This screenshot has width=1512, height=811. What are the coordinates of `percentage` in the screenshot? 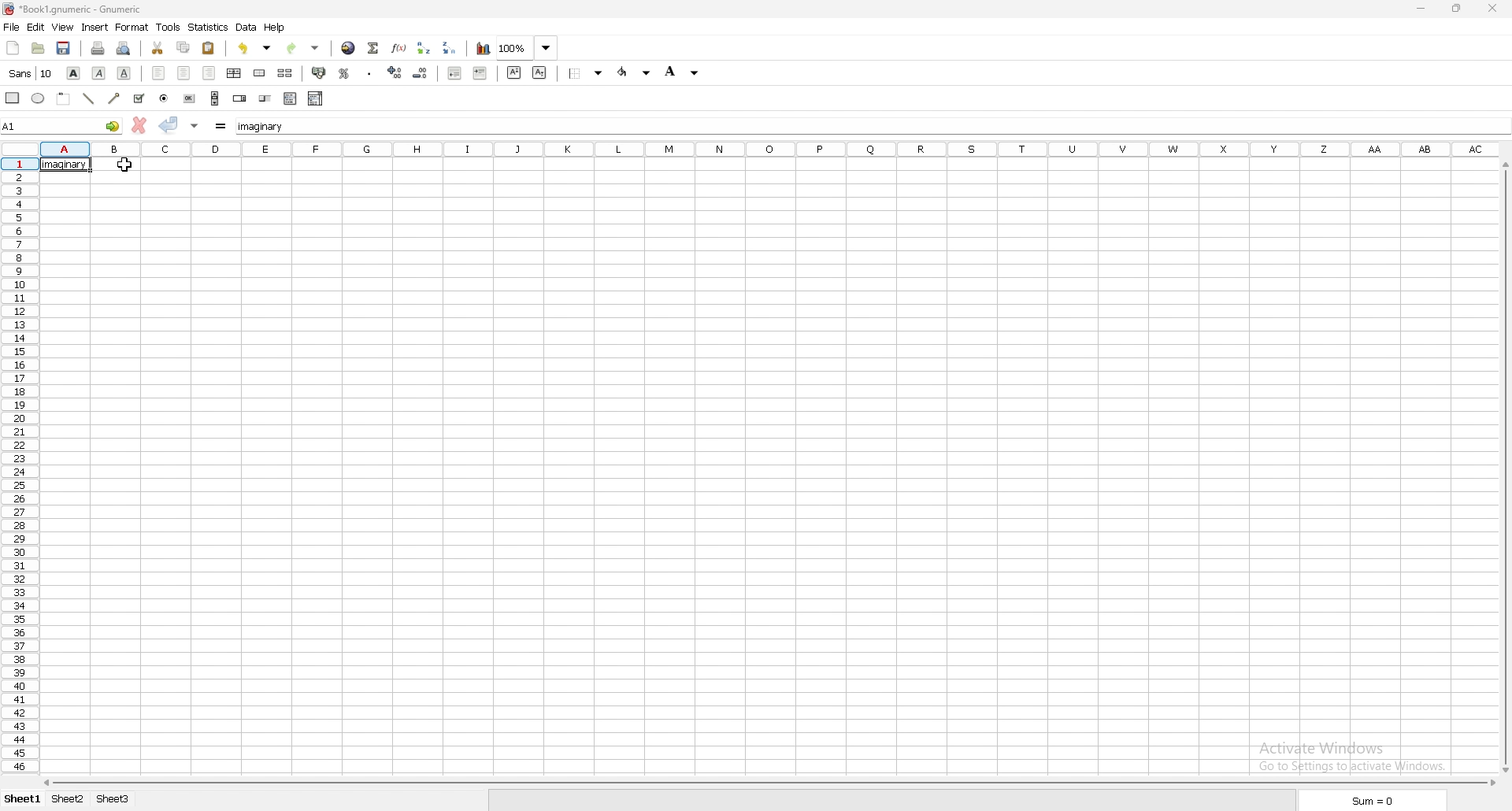 It's located at (344, 73).